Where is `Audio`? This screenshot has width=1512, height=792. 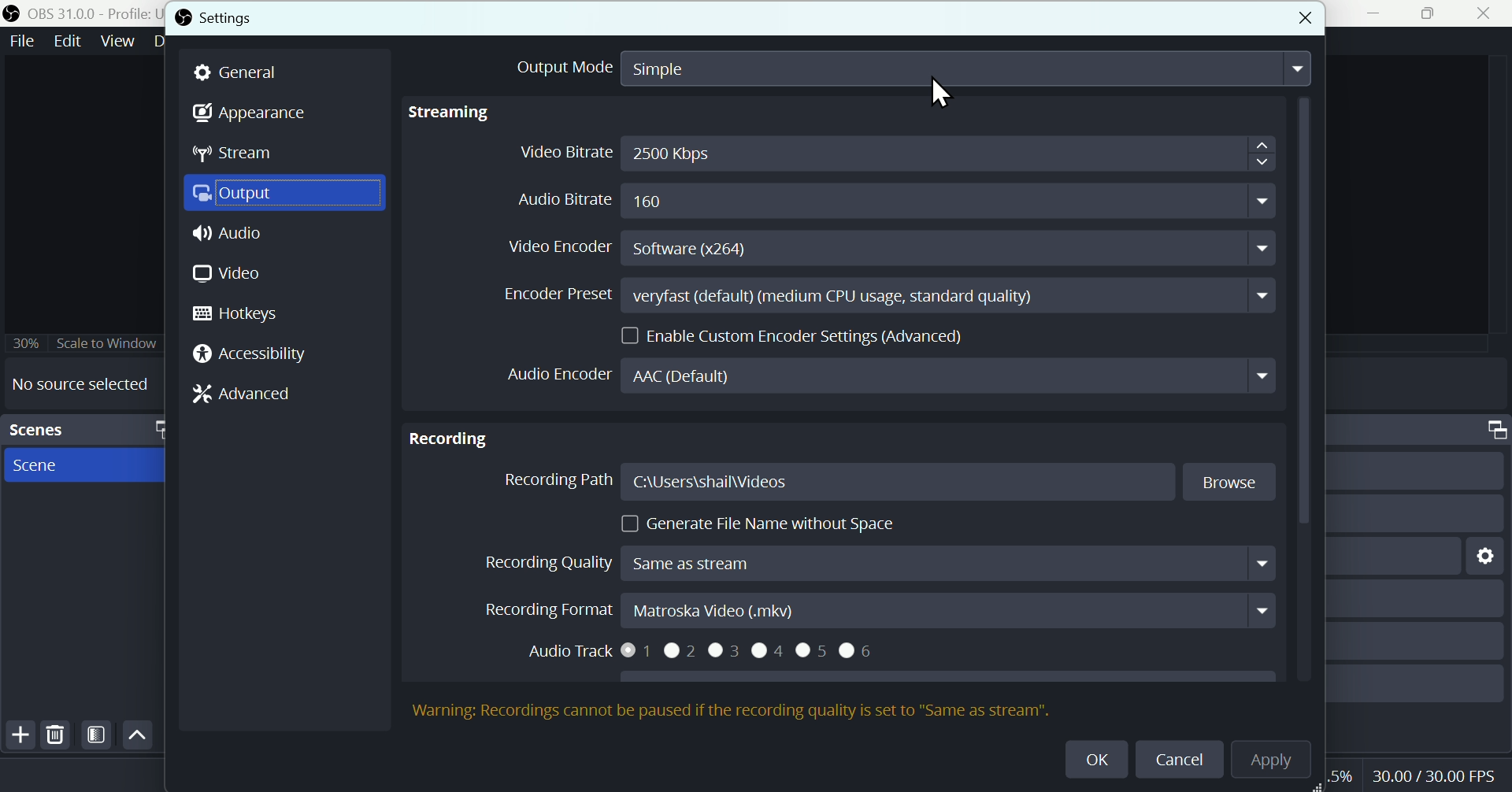 Audio is located at coordinates (283, 231).